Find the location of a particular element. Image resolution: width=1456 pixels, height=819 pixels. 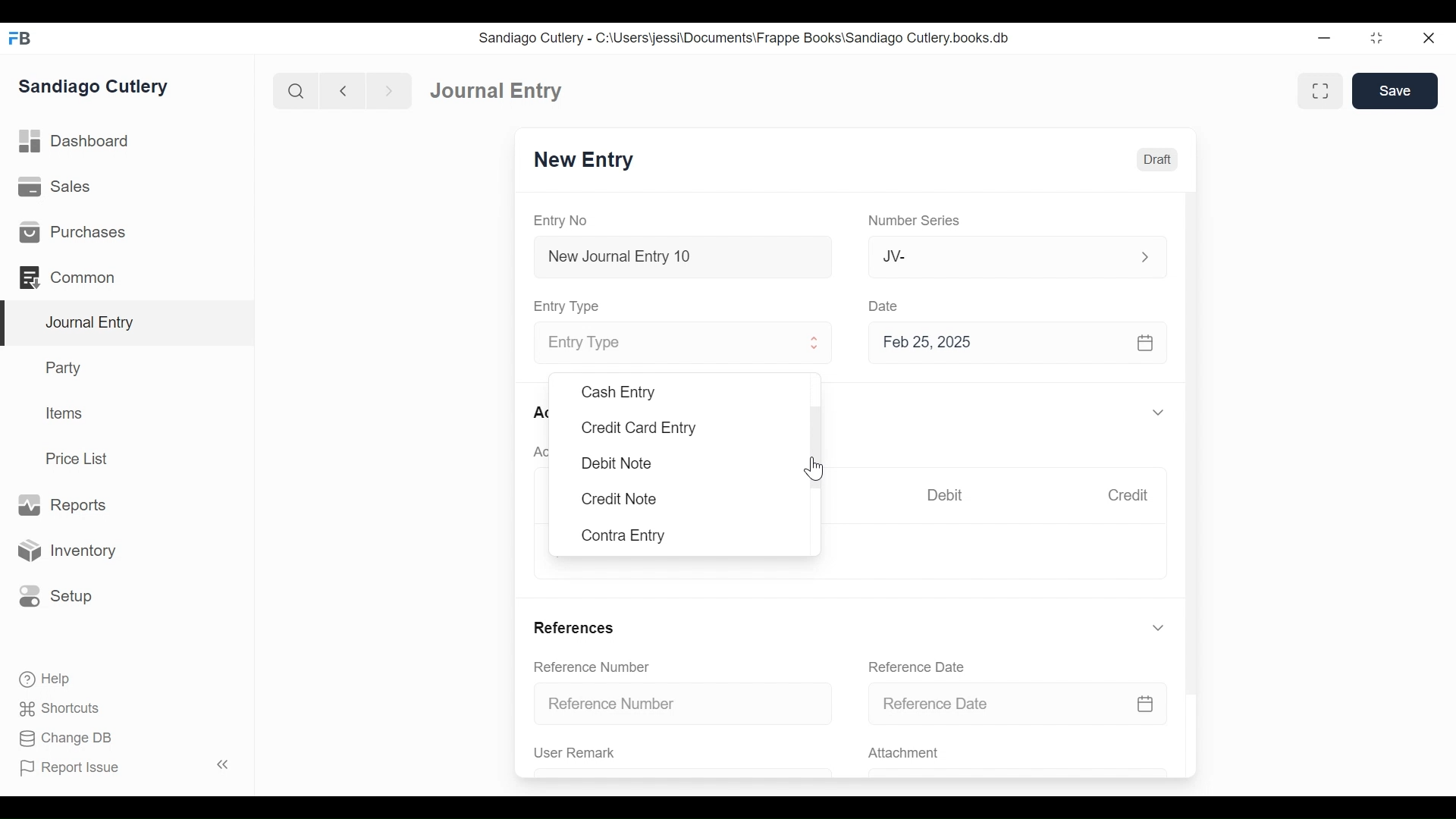

Minimize is located at coordinates (1326, 39).